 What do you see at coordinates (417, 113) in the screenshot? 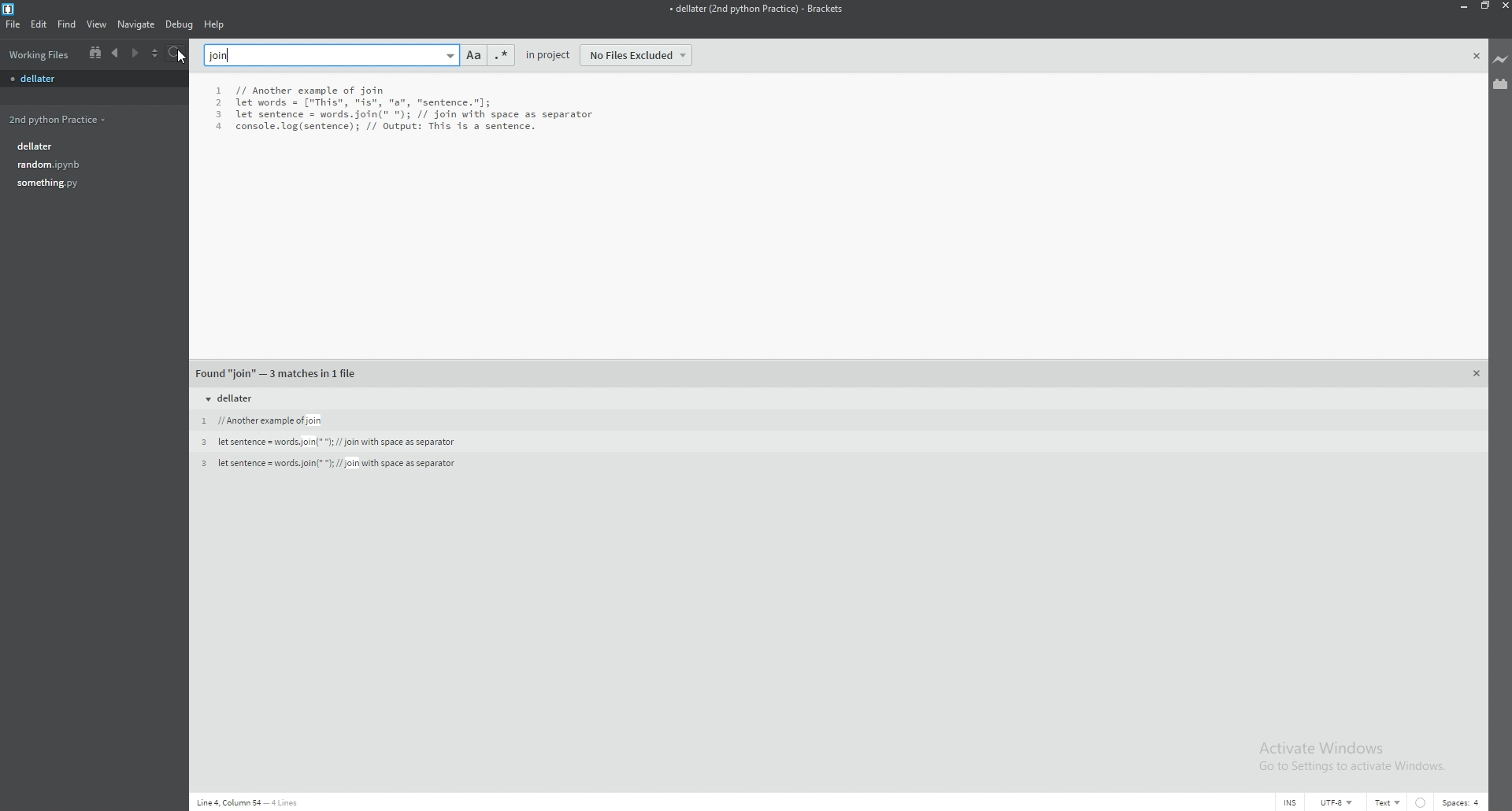
I see `1 // Another example of join

2 let words = ["This", "is", "a", "sentence."];

3 let sentence = words.join(" "); // join with space as separator
4 console. log(sentence); // Output: This is a sentence.` at bounding box center [417, 113].